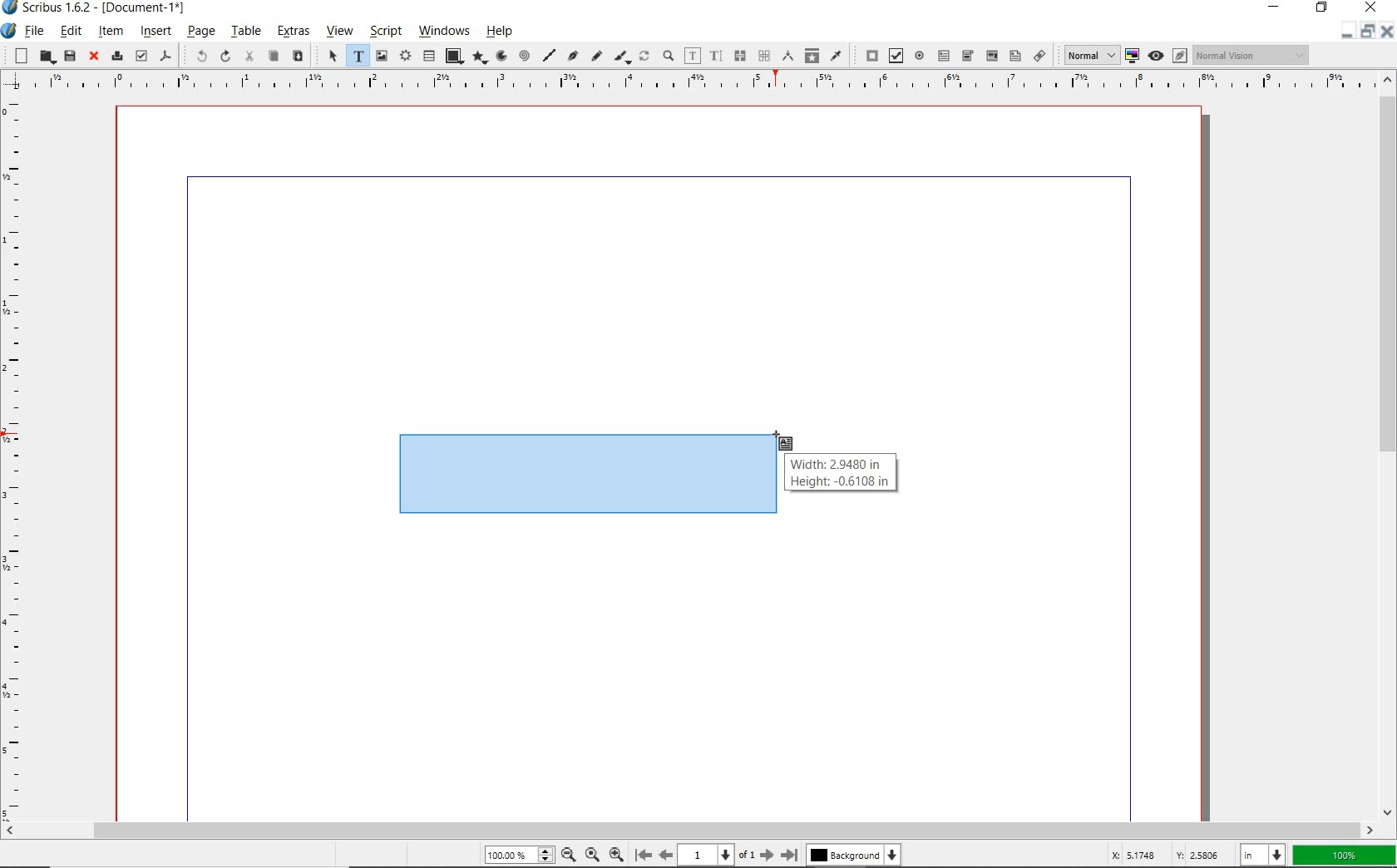  What do you see at coordinates (585, 474) in the screenshot?
I see `TEXT FRAME` at bounding box center [585, 474].